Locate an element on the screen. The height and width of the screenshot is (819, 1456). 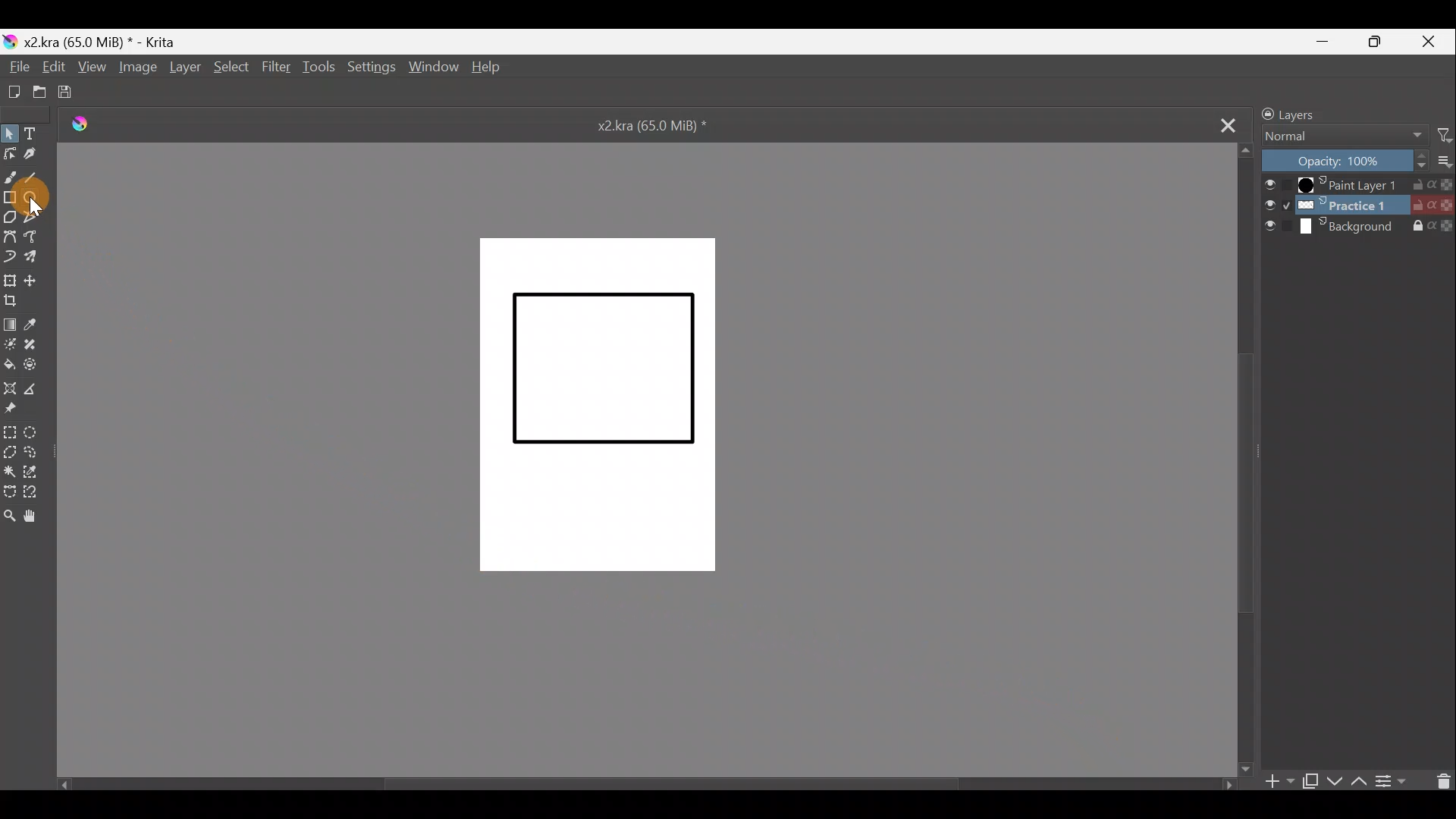
Paint Layer 1 is located at coordinates (1358, 184).